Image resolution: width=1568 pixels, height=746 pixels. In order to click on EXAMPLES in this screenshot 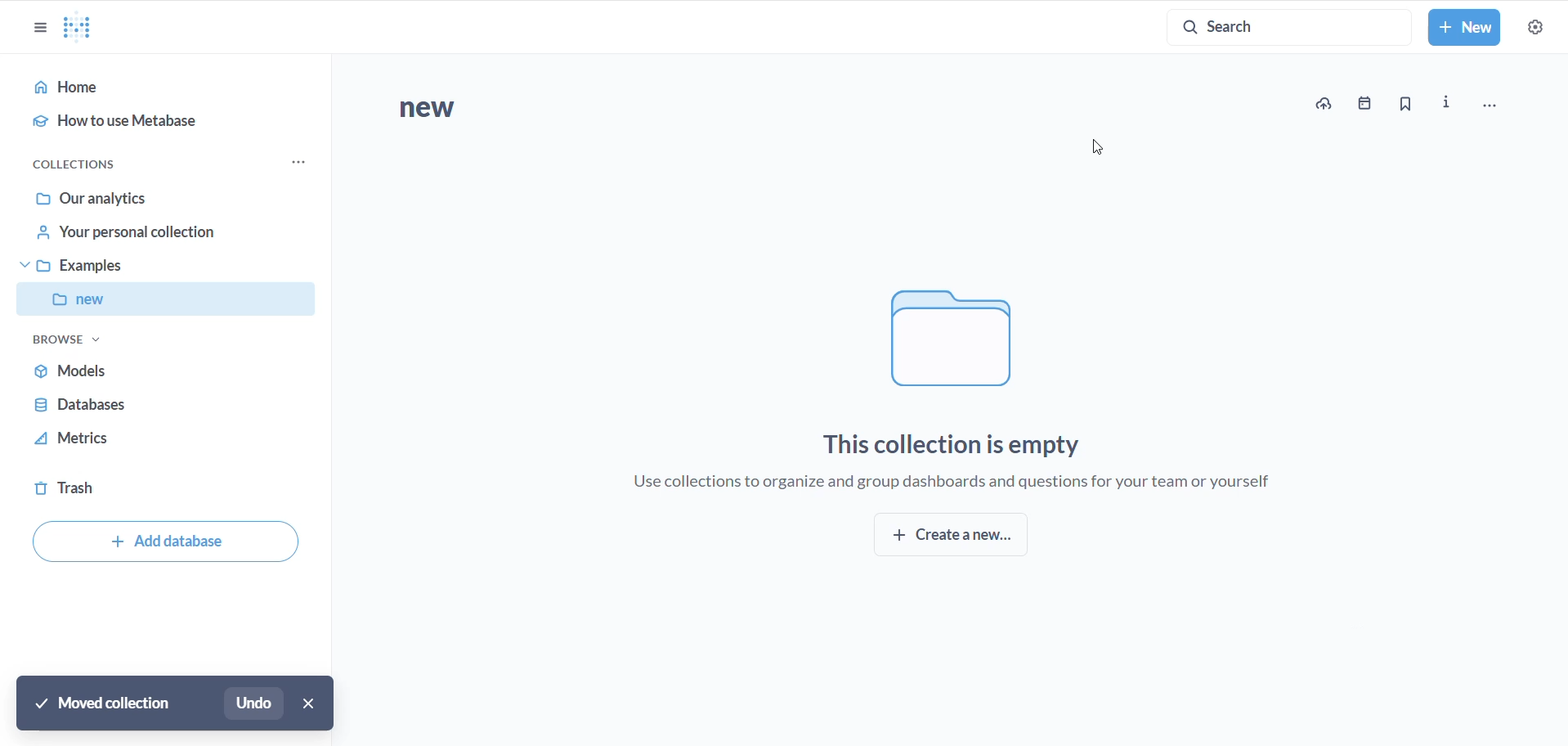, I will do `click(131, 271)`.